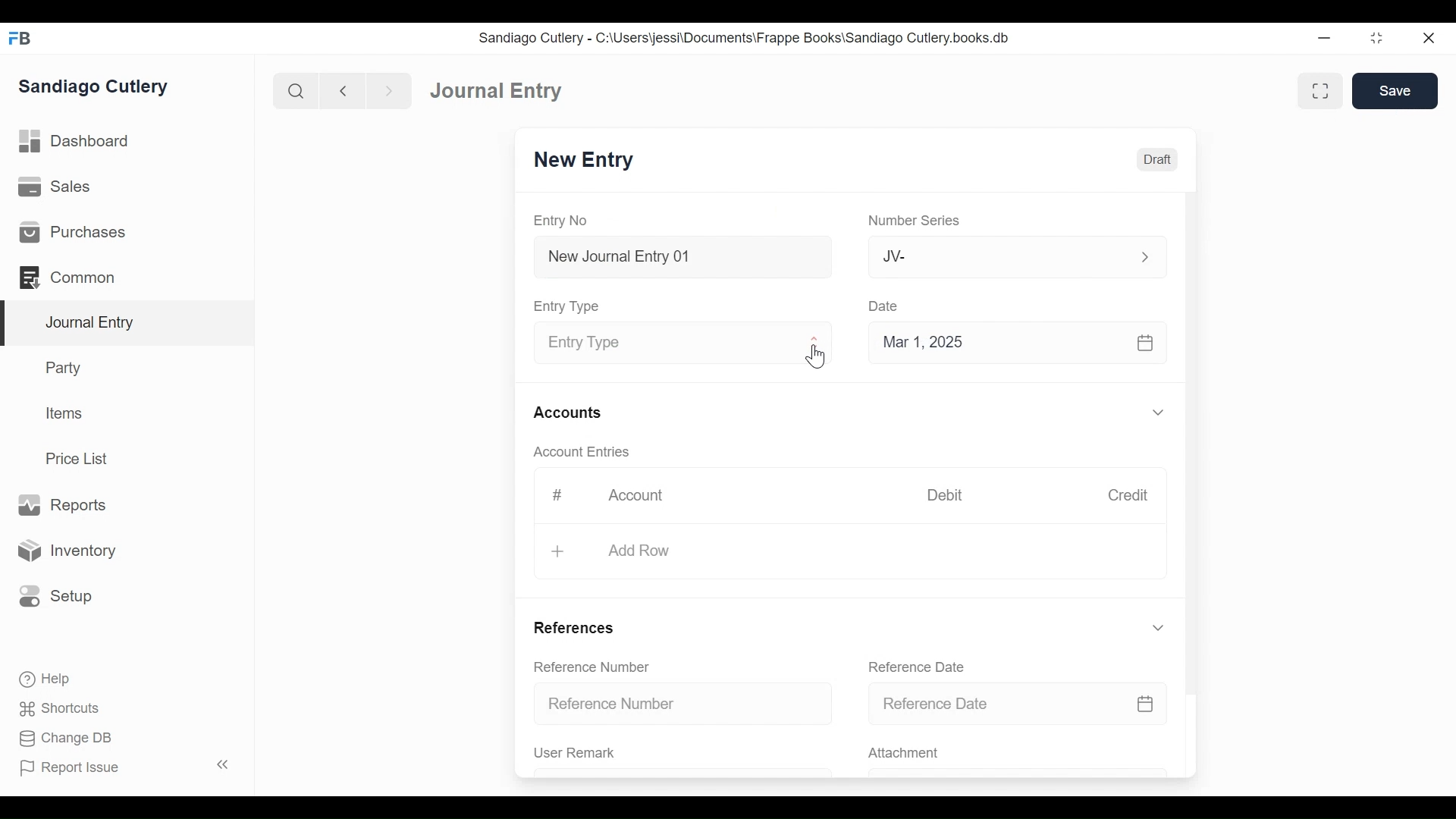  I want to click on Reference Number, so click(585, 666).